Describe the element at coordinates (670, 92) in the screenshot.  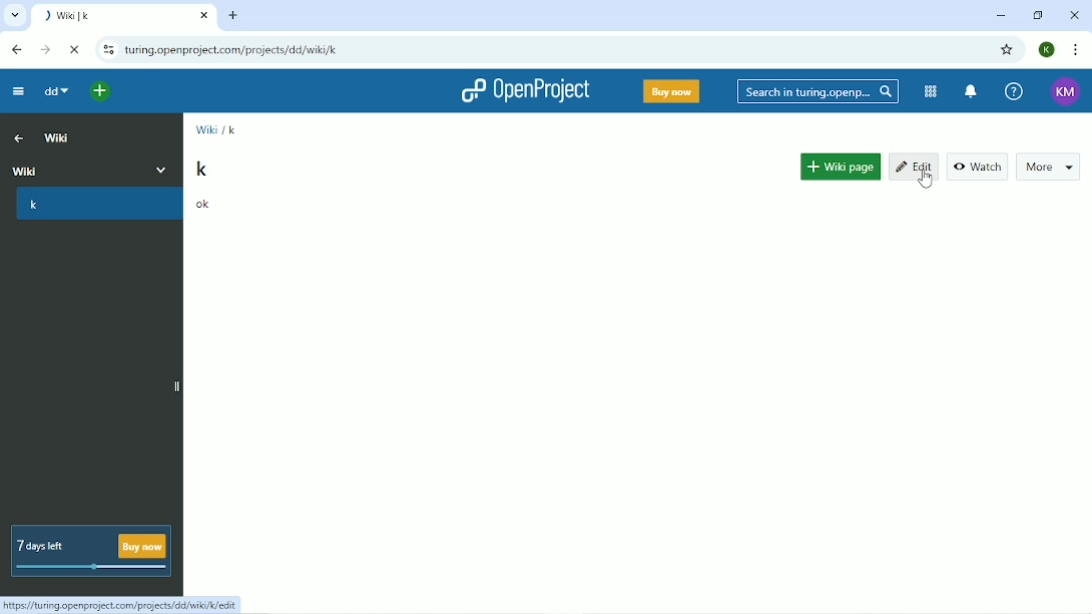
I see `Buy now` at that location.